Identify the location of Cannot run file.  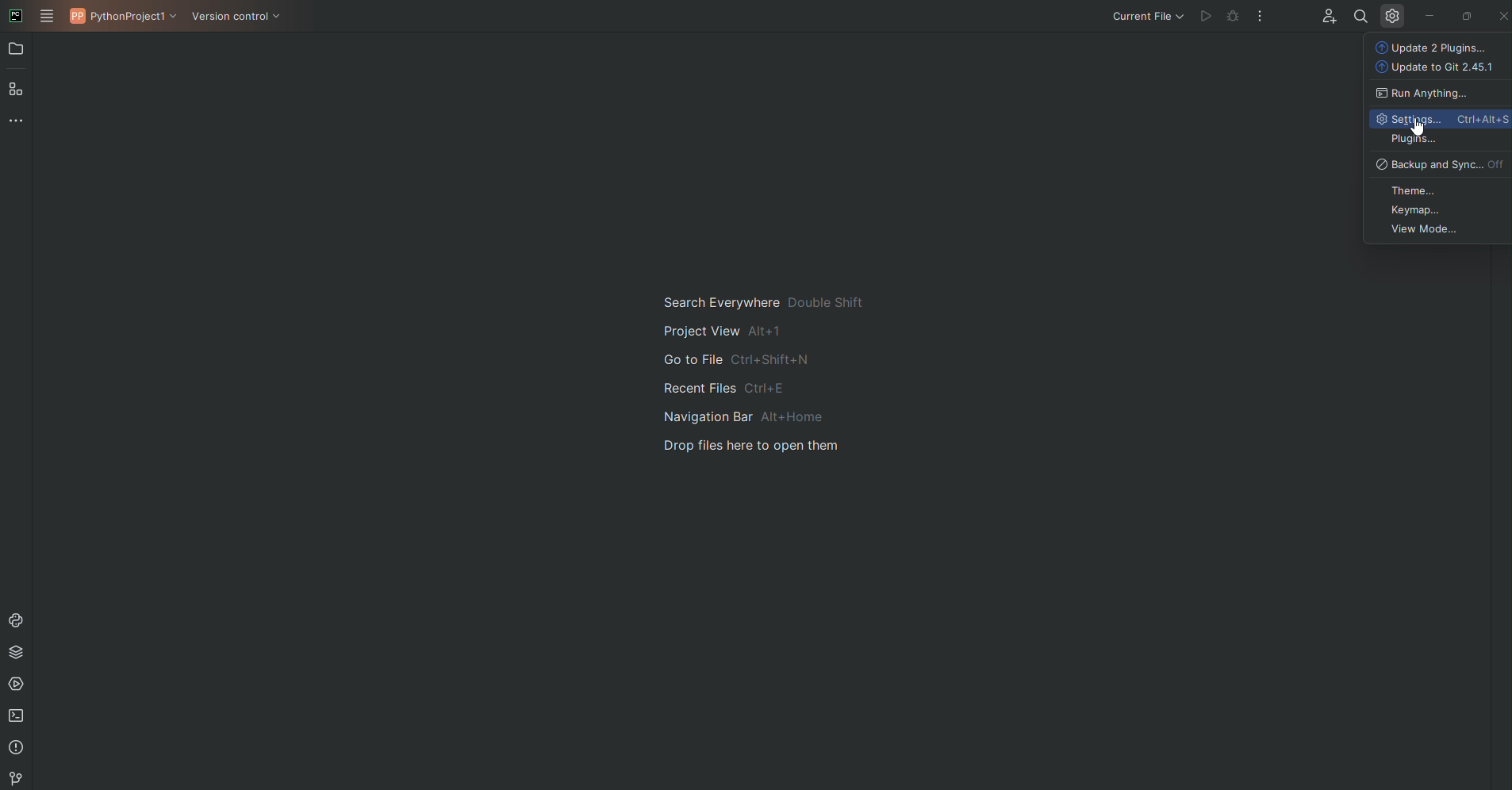
(1215, 17).